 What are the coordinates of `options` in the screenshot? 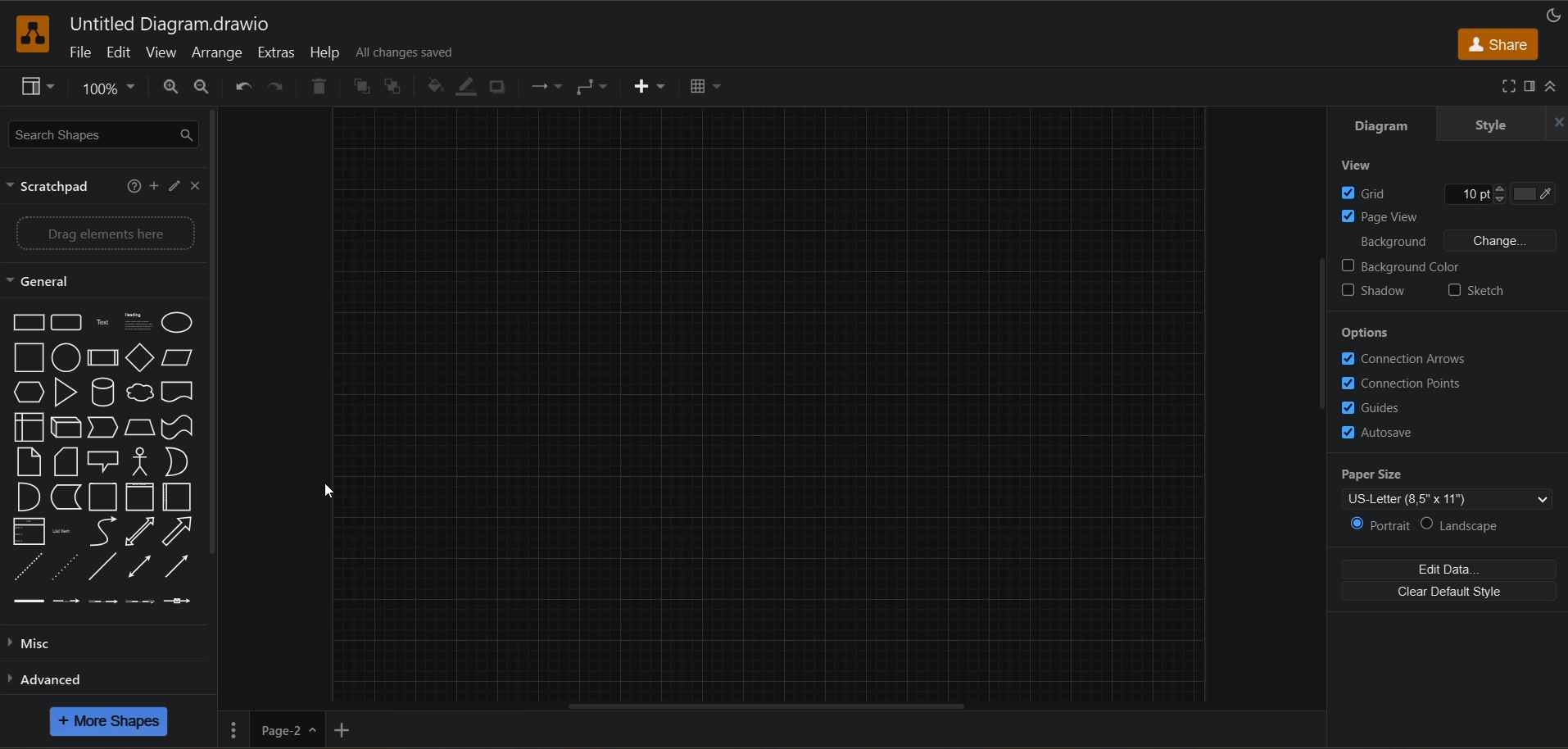 It's located at (1371, 332).